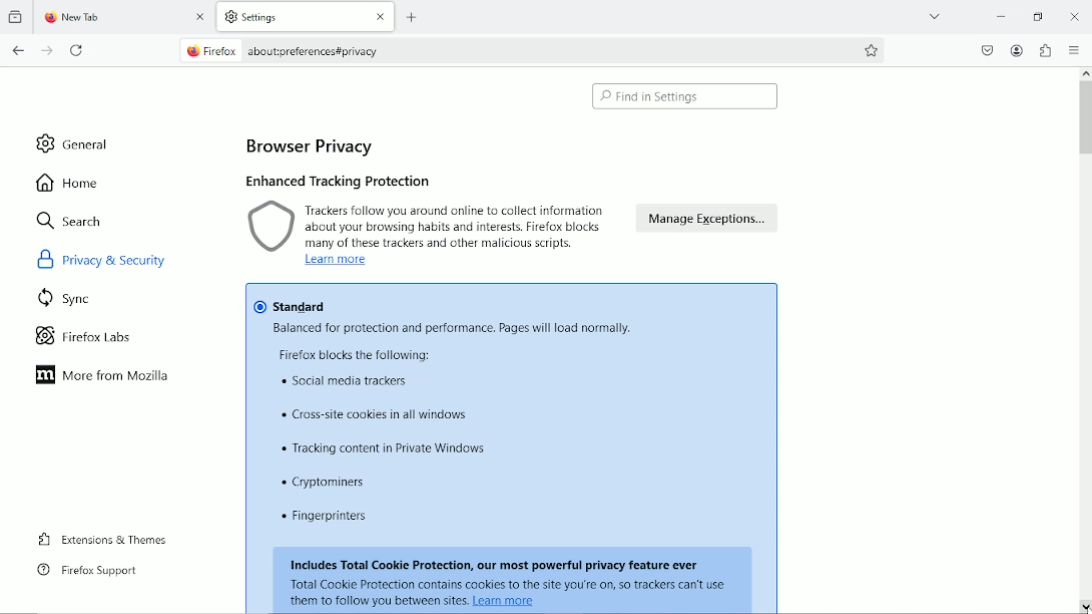  I want to click on « Fingerprinters, so click(329, 517).